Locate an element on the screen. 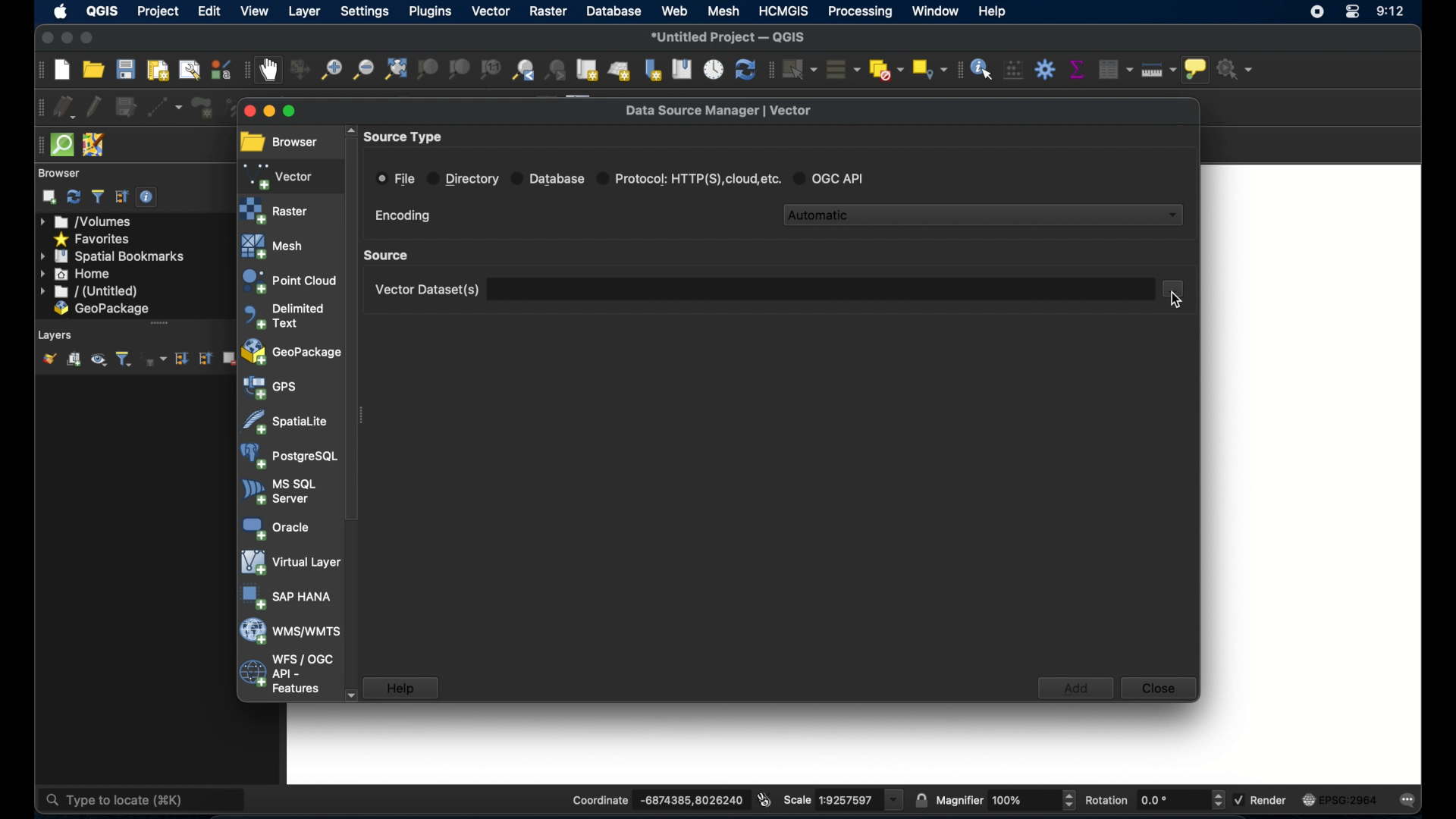  close is located at coordinates (1159, 690).